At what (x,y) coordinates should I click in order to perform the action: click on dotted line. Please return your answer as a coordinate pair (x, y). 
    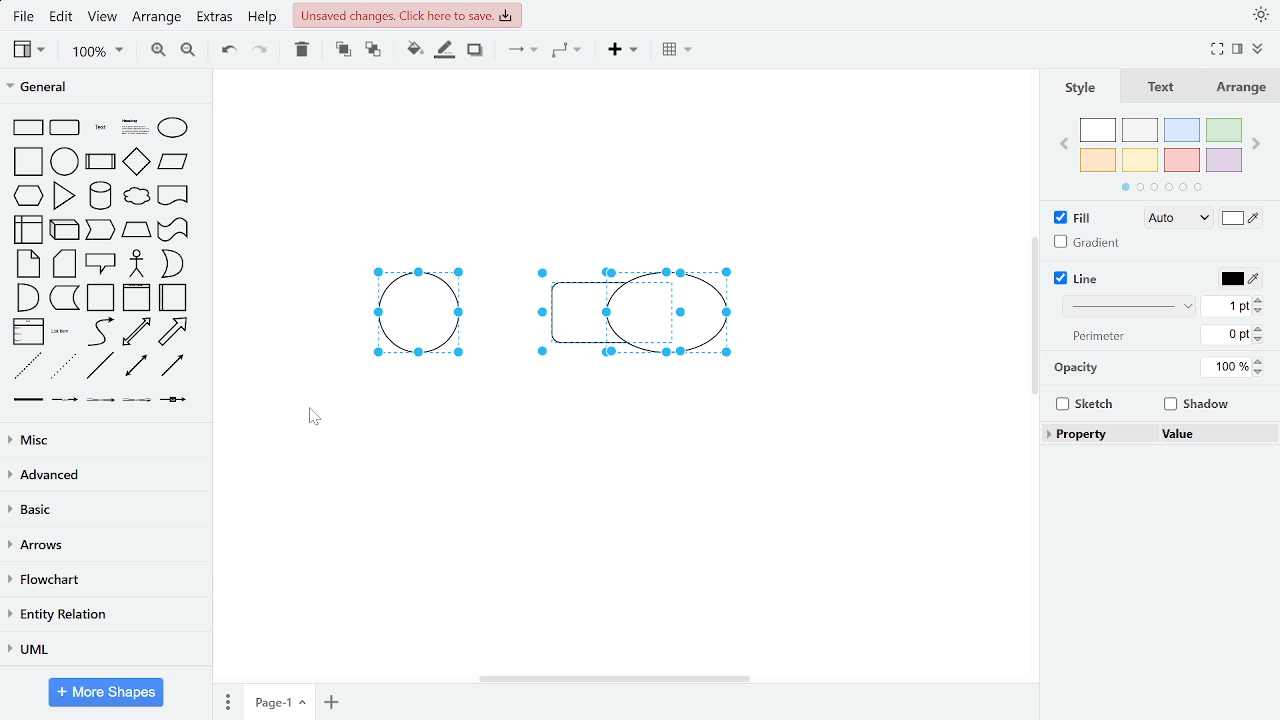
    Looking at the image, I should click on (64, 367).